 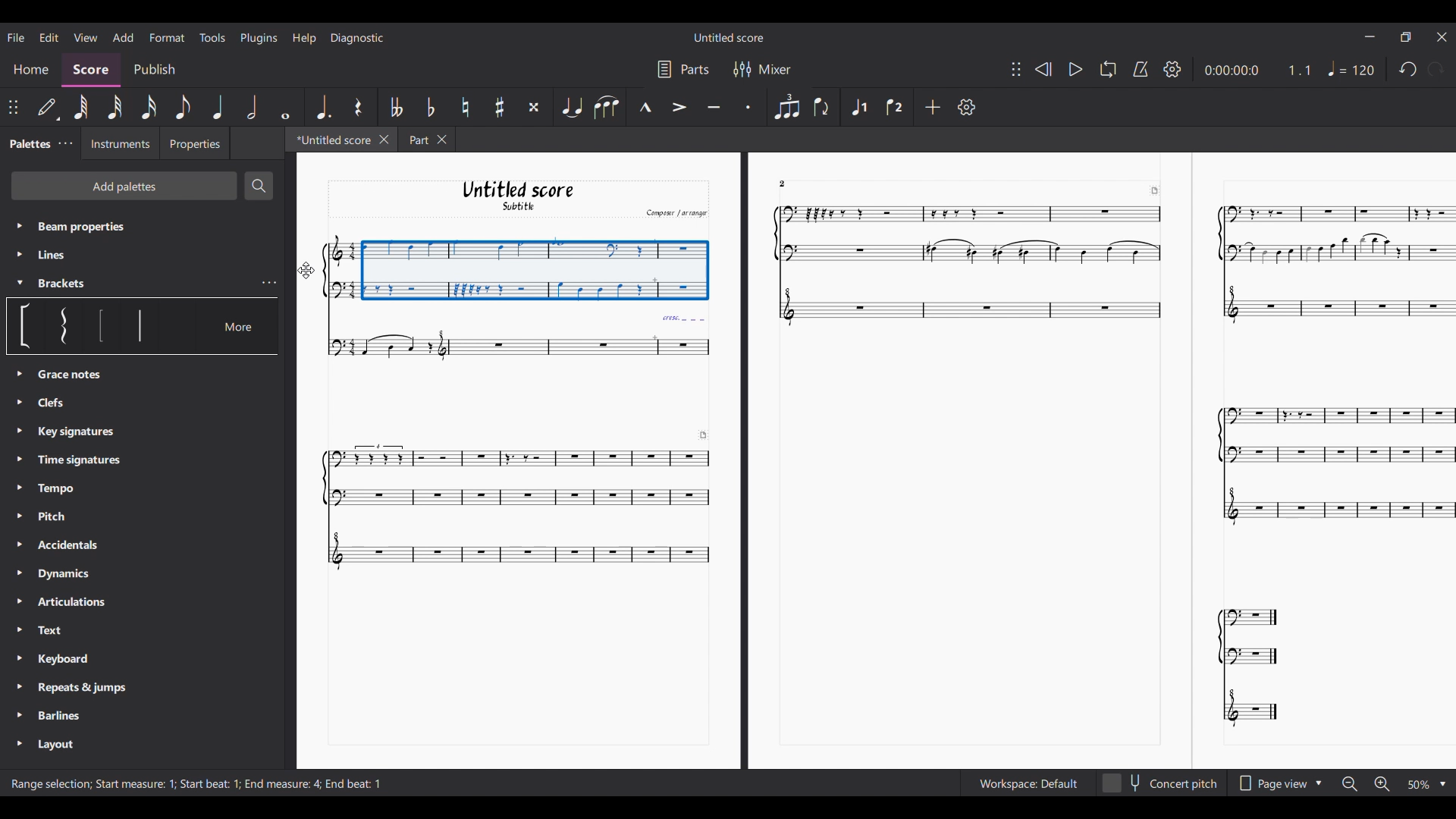 What do you see at coordinates (306, 271) in the screenshot?
I see `Cursor` at bounding box center [306, 271].